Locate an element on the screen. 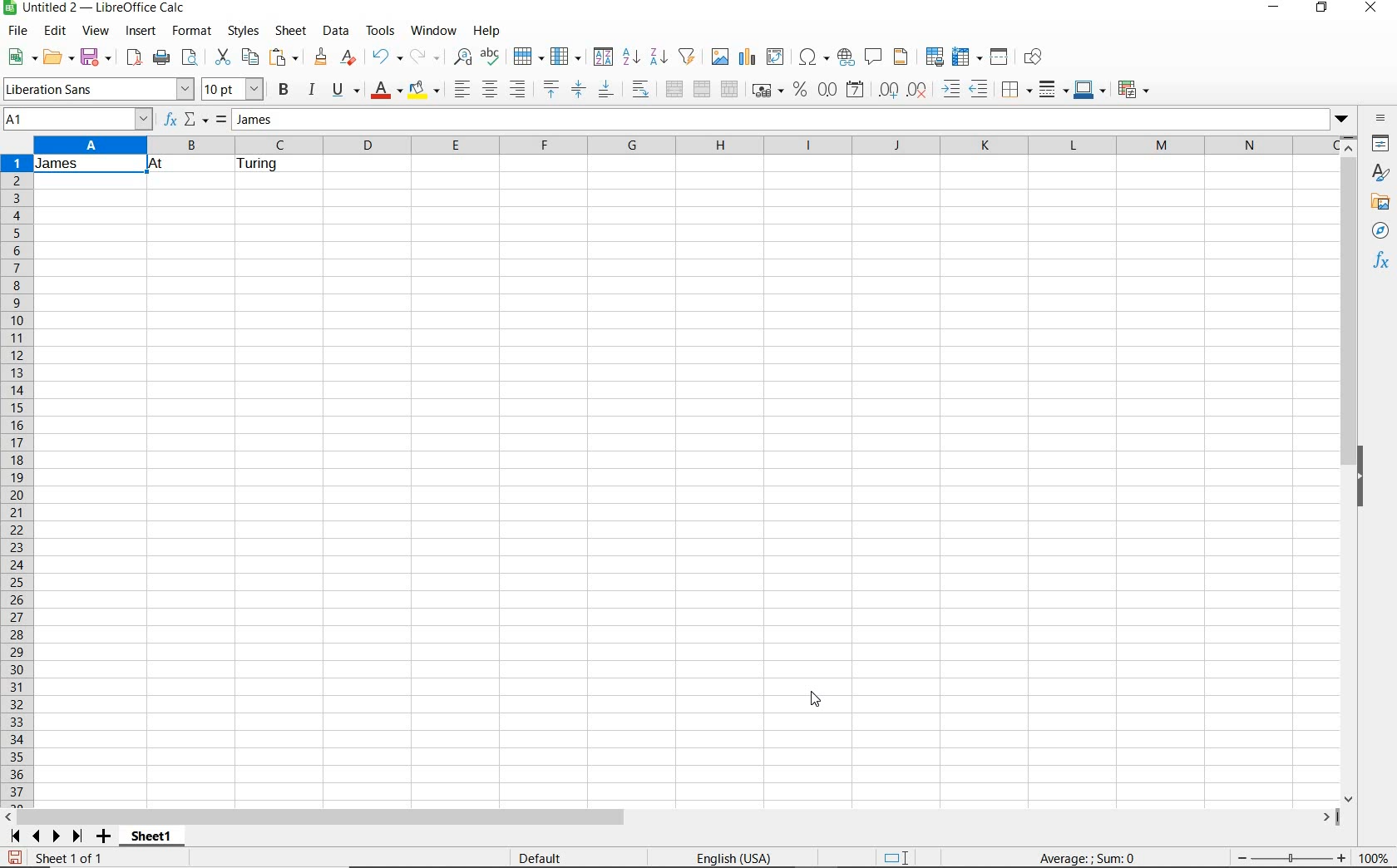 The image size is (1397, 868). Columns is located at coordinates (687, 145).